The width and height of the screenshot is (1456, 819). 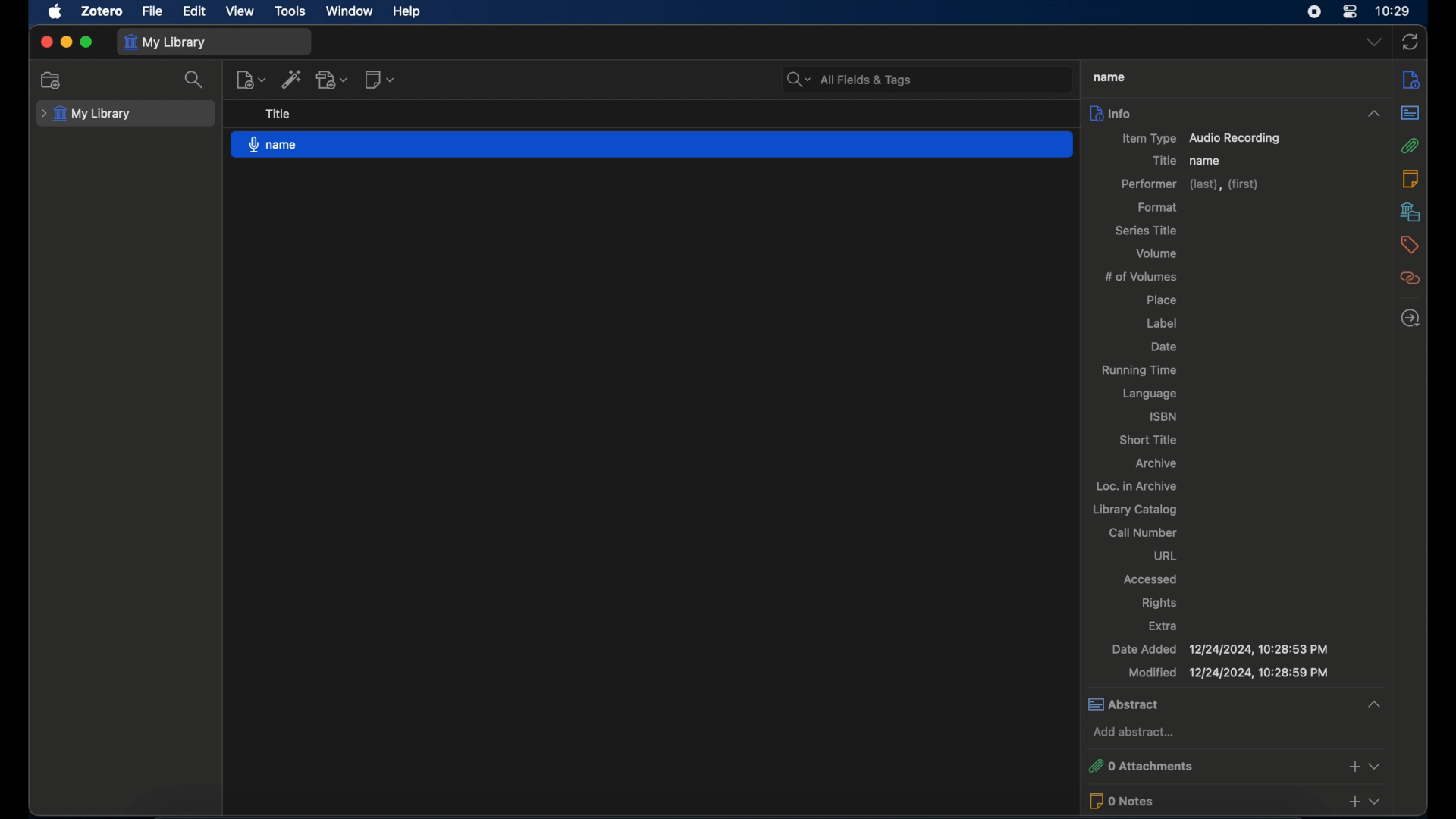 I want to click on related, so click(x=1412, y=278).